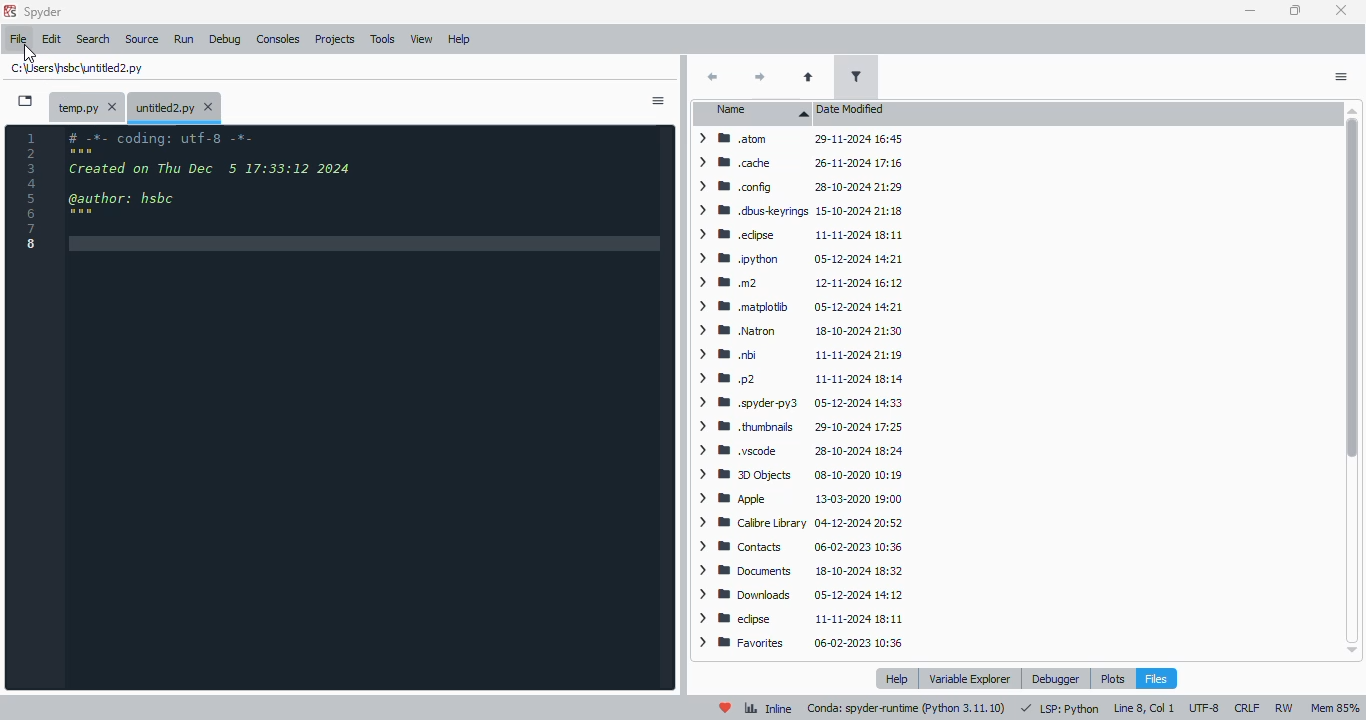  What do you see at coordinates (9, 11) in the screenshot?
I see `logo` at bounding box center [9, 11].